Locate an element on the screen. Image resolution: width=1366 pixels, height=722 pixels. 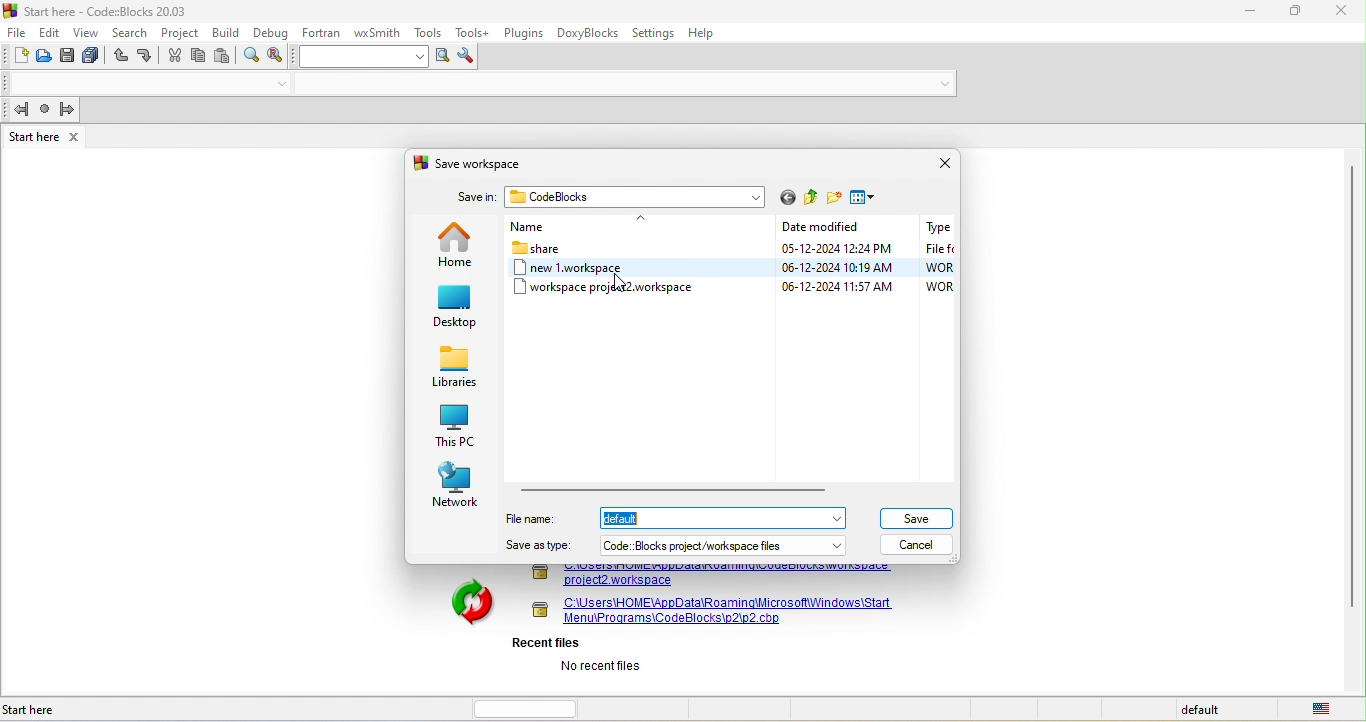
tools is located at coordinates (430, 32).